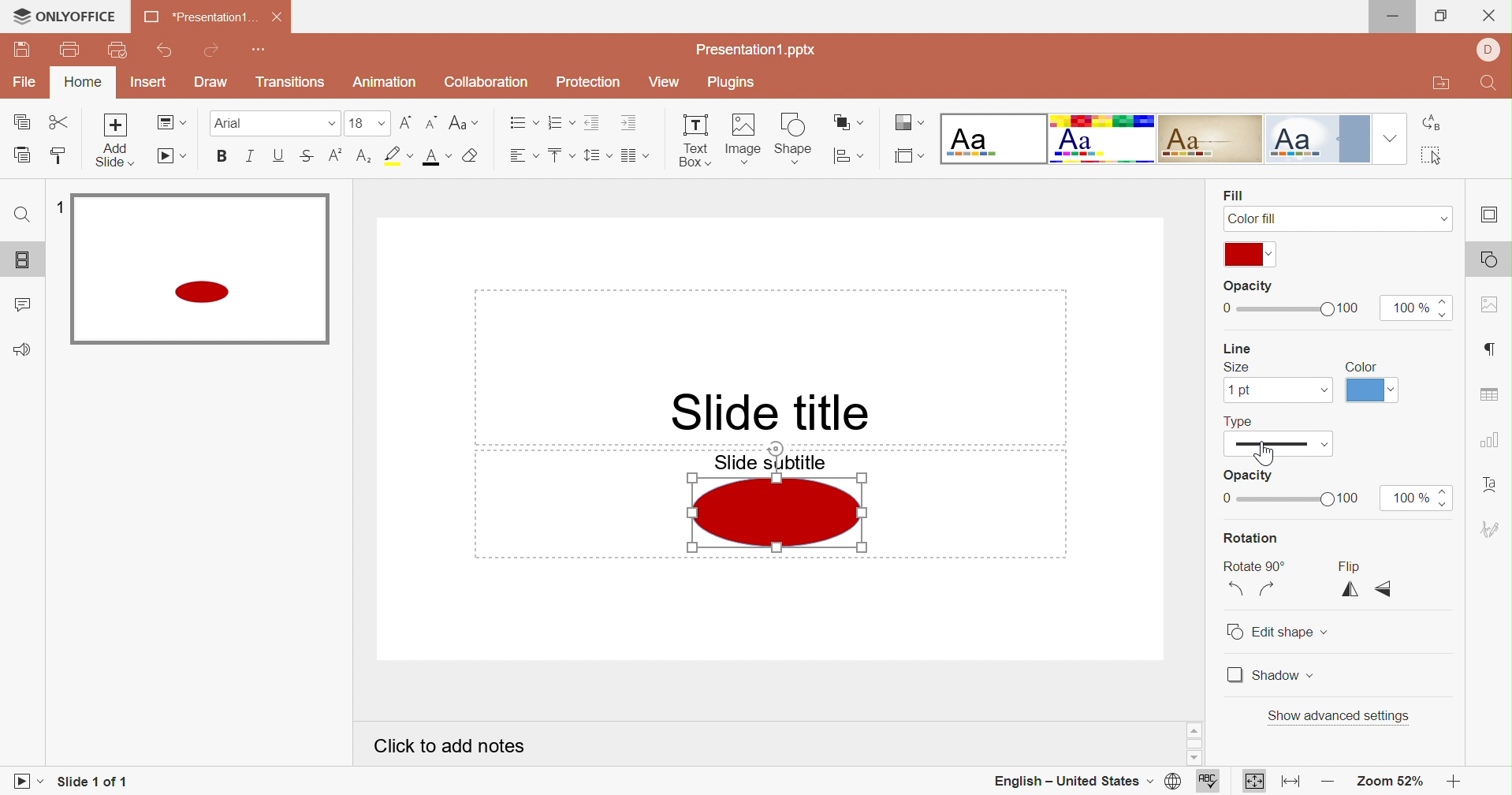 This screenshot has width=1512, height=795. I want to click on Type, so click(1262, 443).